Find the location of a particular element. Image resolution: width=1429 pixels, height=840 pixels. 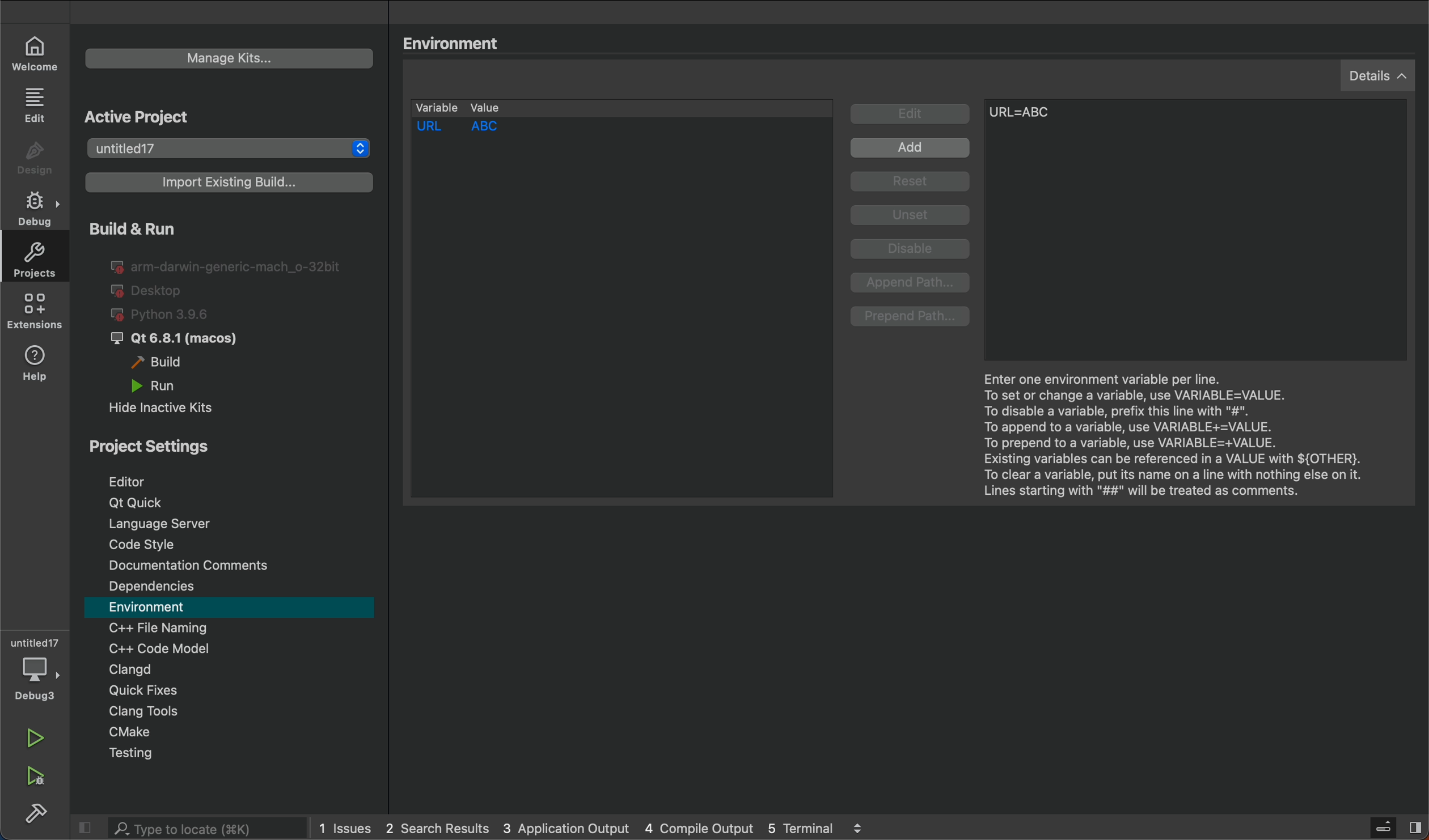

quick fixes is located at coordinates (231, 691).